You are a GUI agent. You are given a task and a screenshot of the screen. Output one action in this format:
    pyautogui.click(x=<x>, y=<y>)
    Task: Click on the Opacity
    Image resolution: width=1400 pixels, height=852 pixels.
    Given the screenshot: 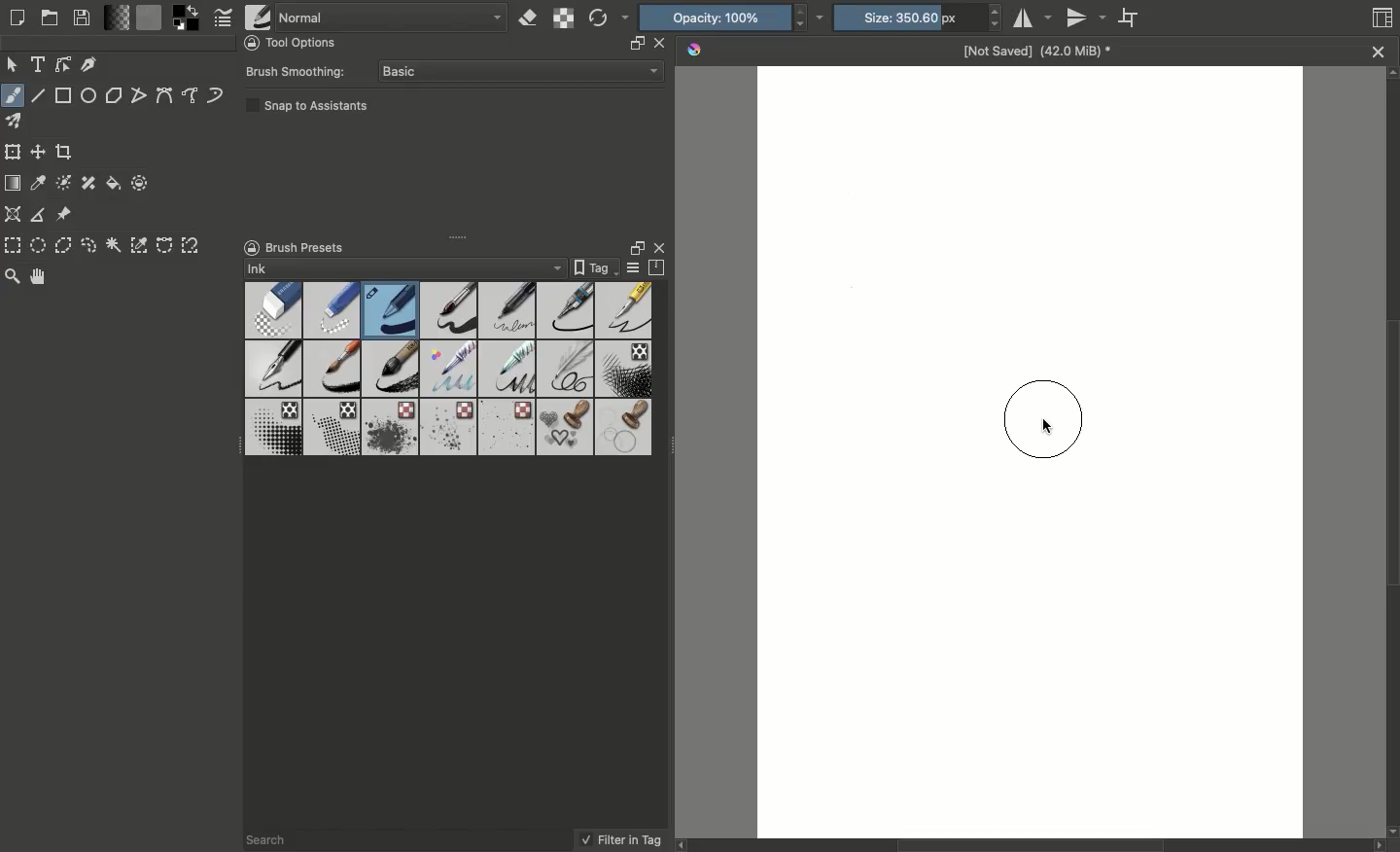 What is the action you would take?
    pyautogui.click(x=732, y=18)
    